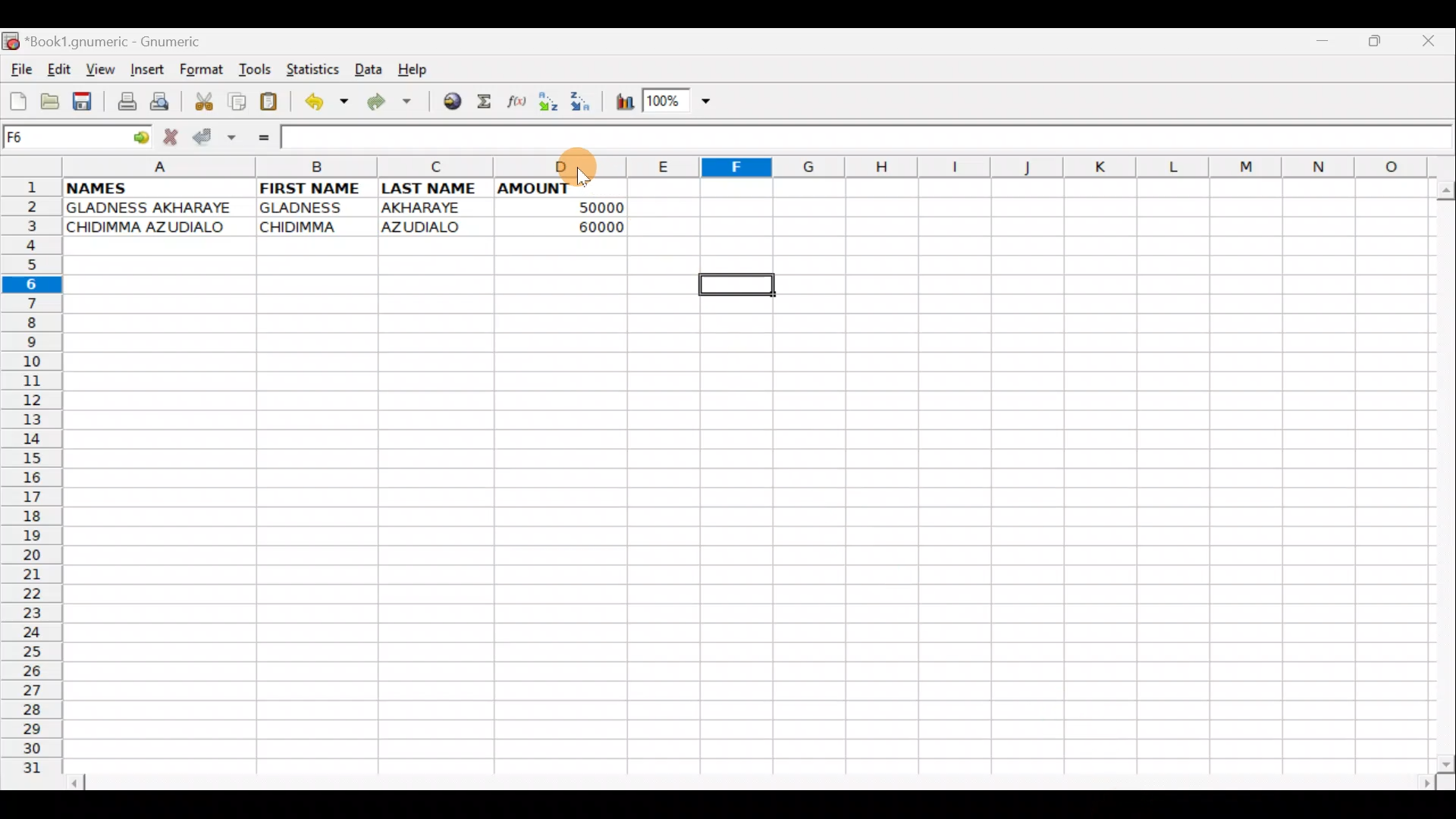  Describe the element at coordinates (30, 476) in the screenshot. I see `Rows` at that location.